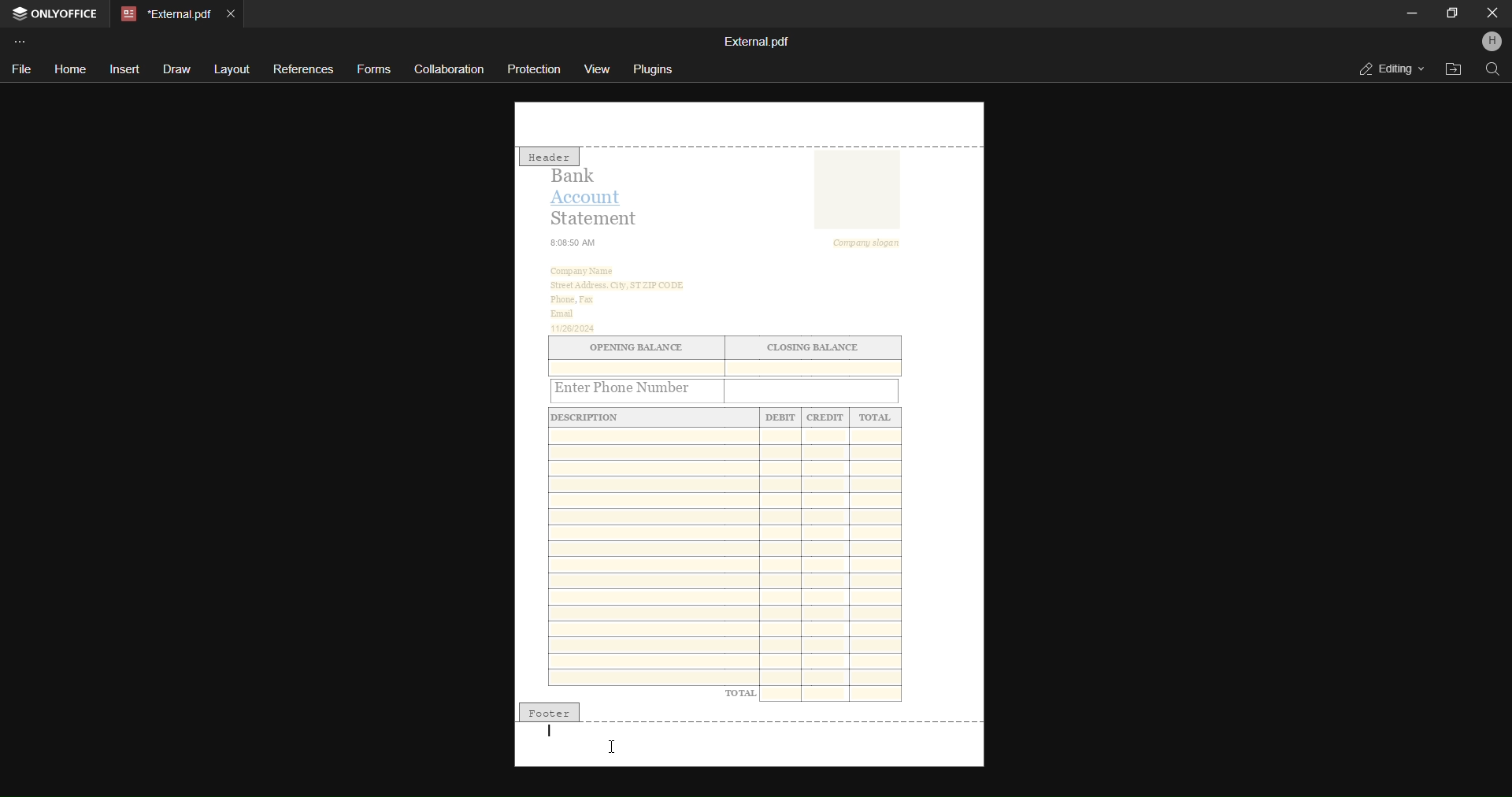  Describe the element at coordinates (876, 417) in the screenshot. I see `TOTAL` at that location.